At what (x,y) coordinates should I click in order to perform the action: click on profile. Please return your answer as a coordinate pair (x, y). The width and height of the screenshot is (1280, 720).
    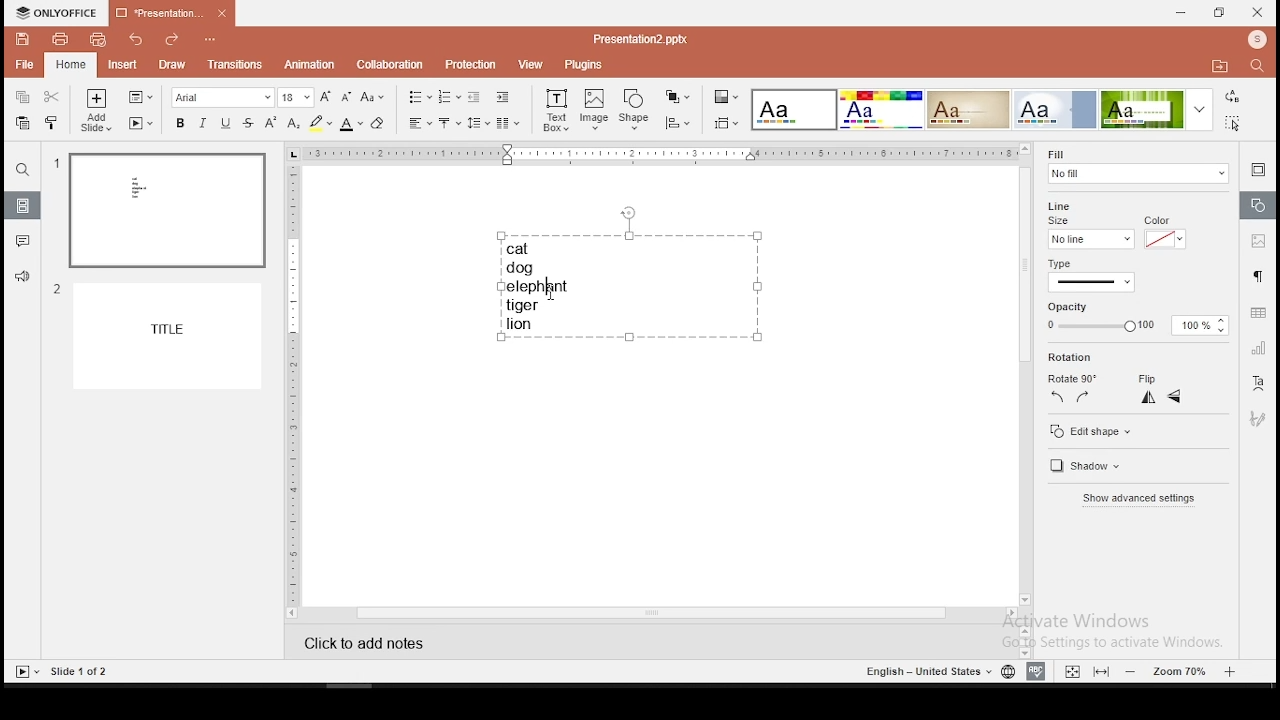
    Looking at the image, I should click on (1254, 39).